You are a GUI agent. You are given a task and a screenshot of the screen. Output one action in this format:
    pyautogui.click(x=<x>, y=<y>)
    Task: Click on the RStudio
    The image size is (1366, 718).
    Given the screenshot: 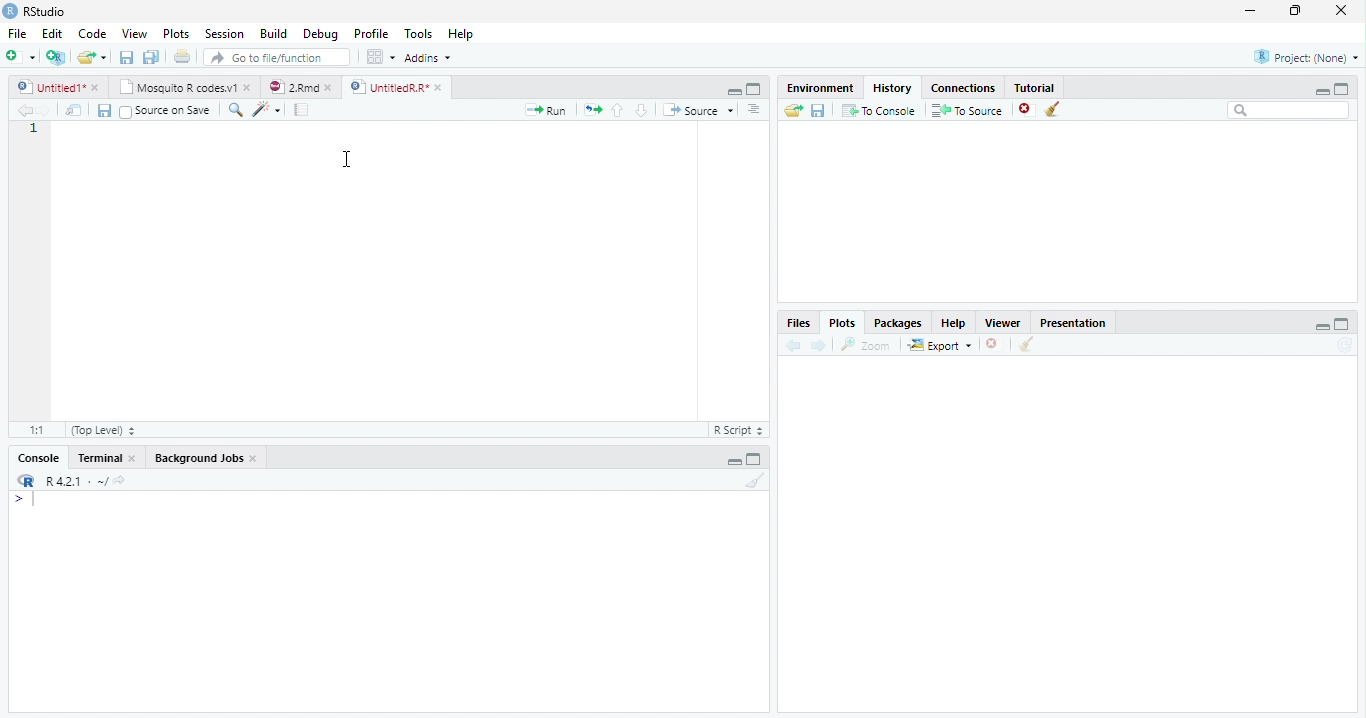 What is the action you would take?
    pyautogui.click(x=39, y=12)
    